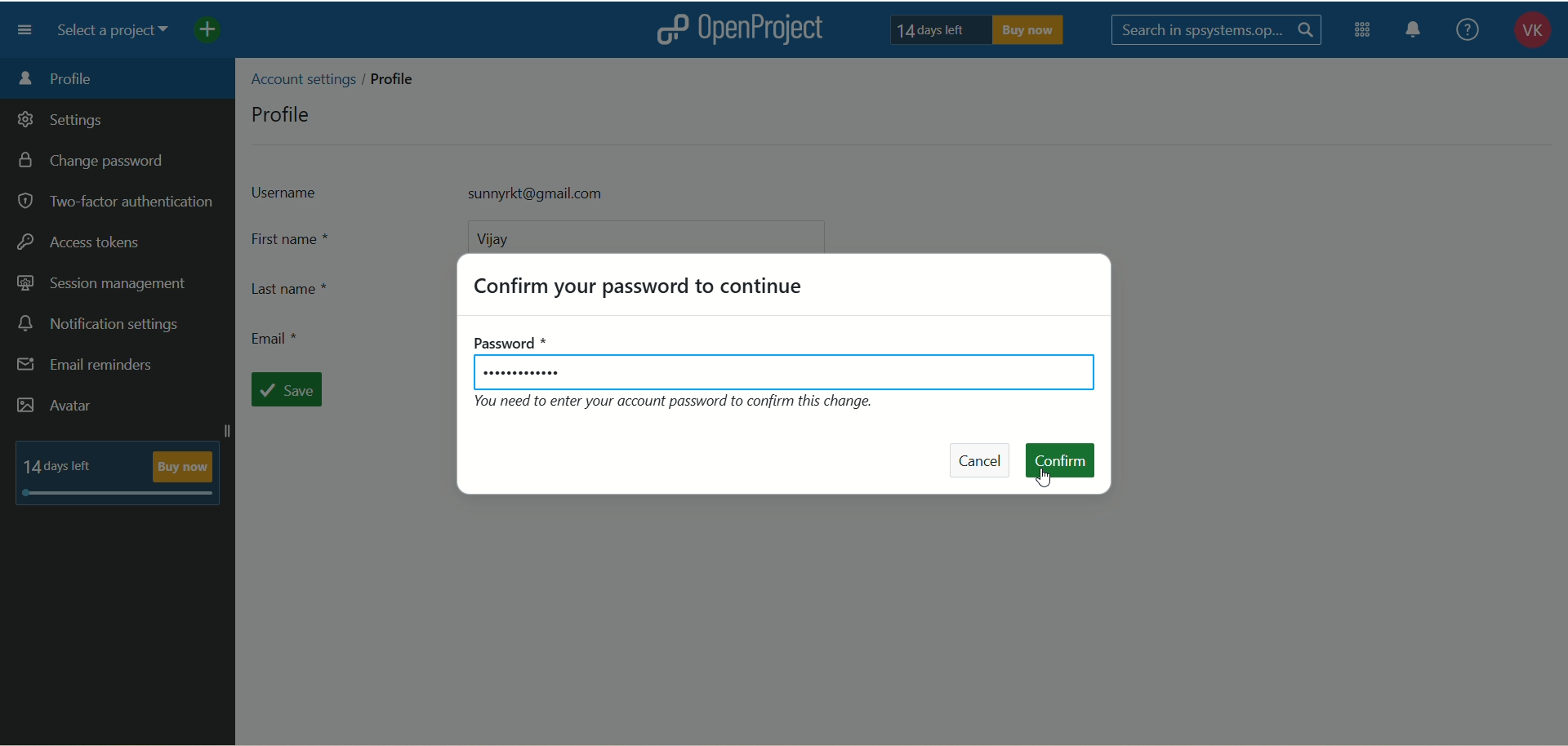  What do you see at coordinates (61, 122) in the screenshot?
I see `settings` at bounding box center [61, 122].